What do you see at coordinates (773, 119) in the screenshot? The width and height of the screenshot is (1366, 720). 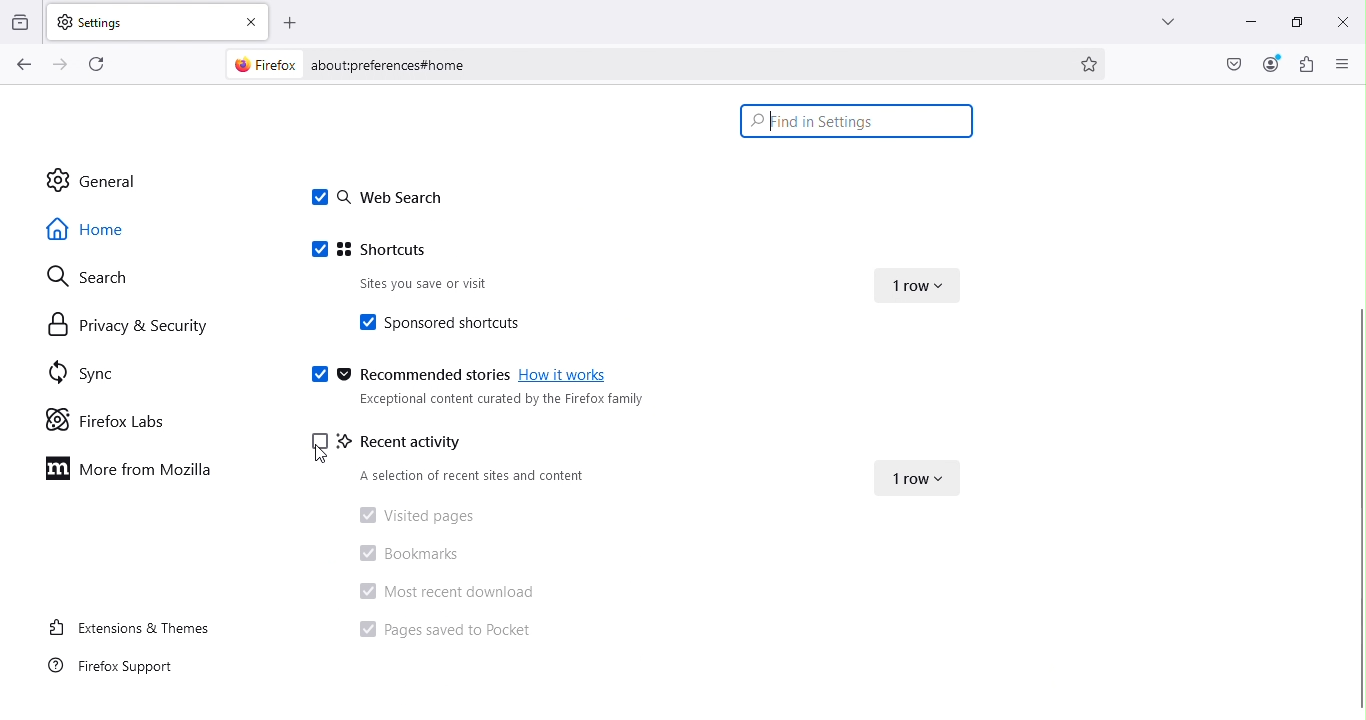 I see `cursor` at bounding box center [773, 119].